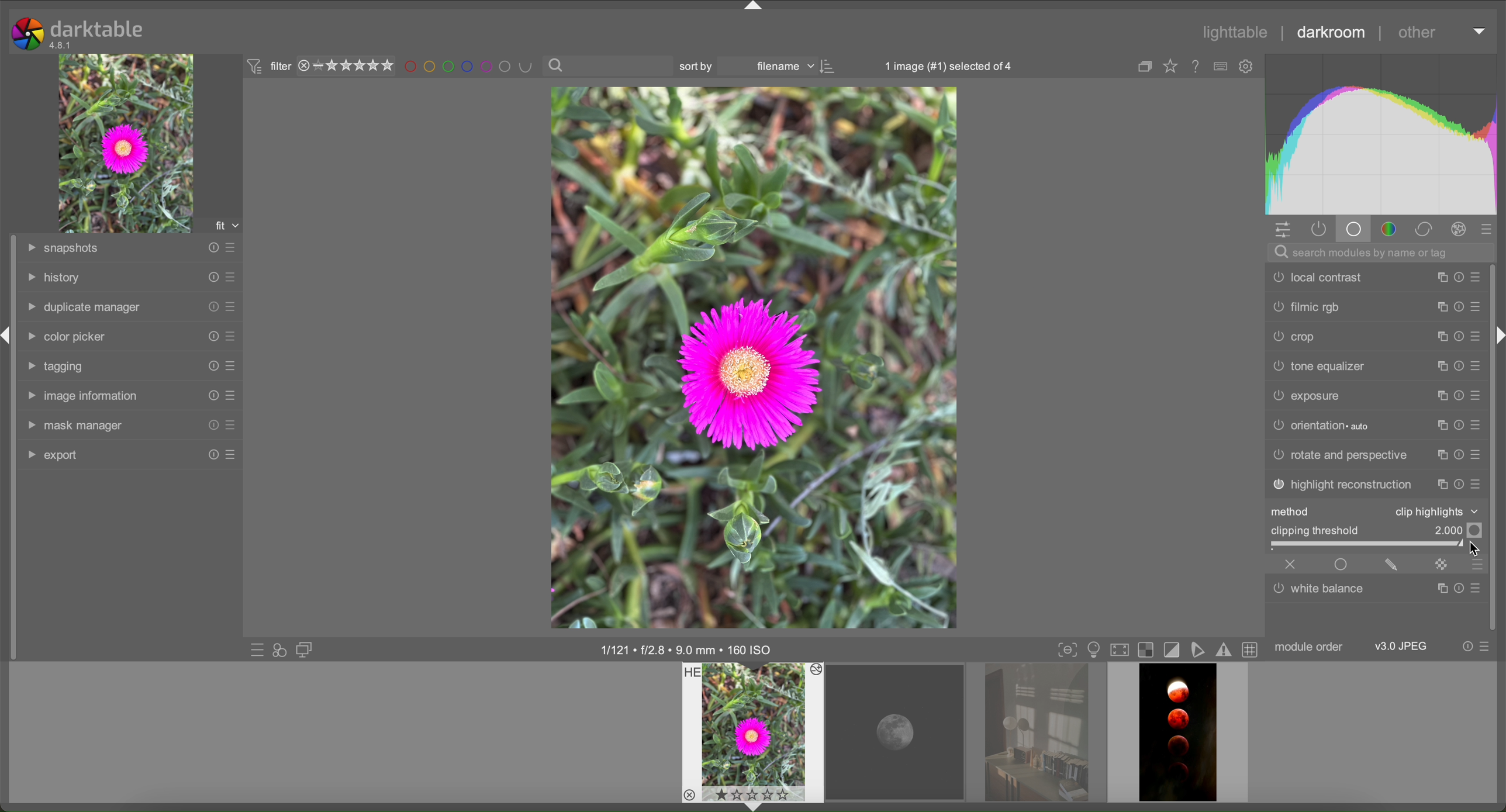 The image size is (1506, 812). What do you see at coordinates (1458, 336) in the screenshot?
I see `reset presets` at bounding box center [1458, 336].